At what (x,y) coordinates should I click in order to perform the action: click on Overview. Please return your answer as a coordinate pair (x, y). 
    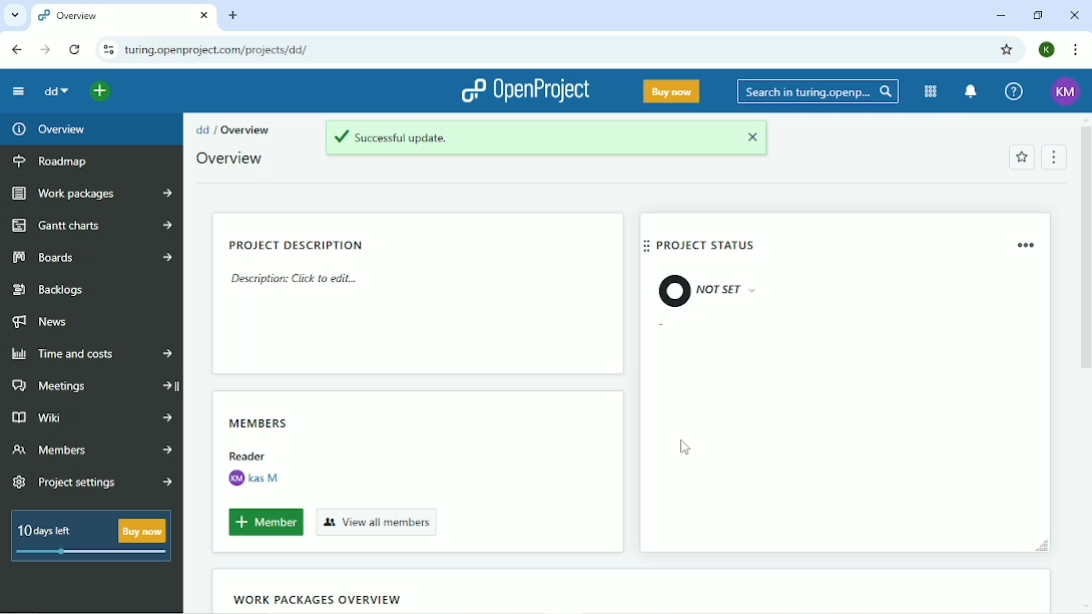
    Looking at the image, I should click on (54, 130).